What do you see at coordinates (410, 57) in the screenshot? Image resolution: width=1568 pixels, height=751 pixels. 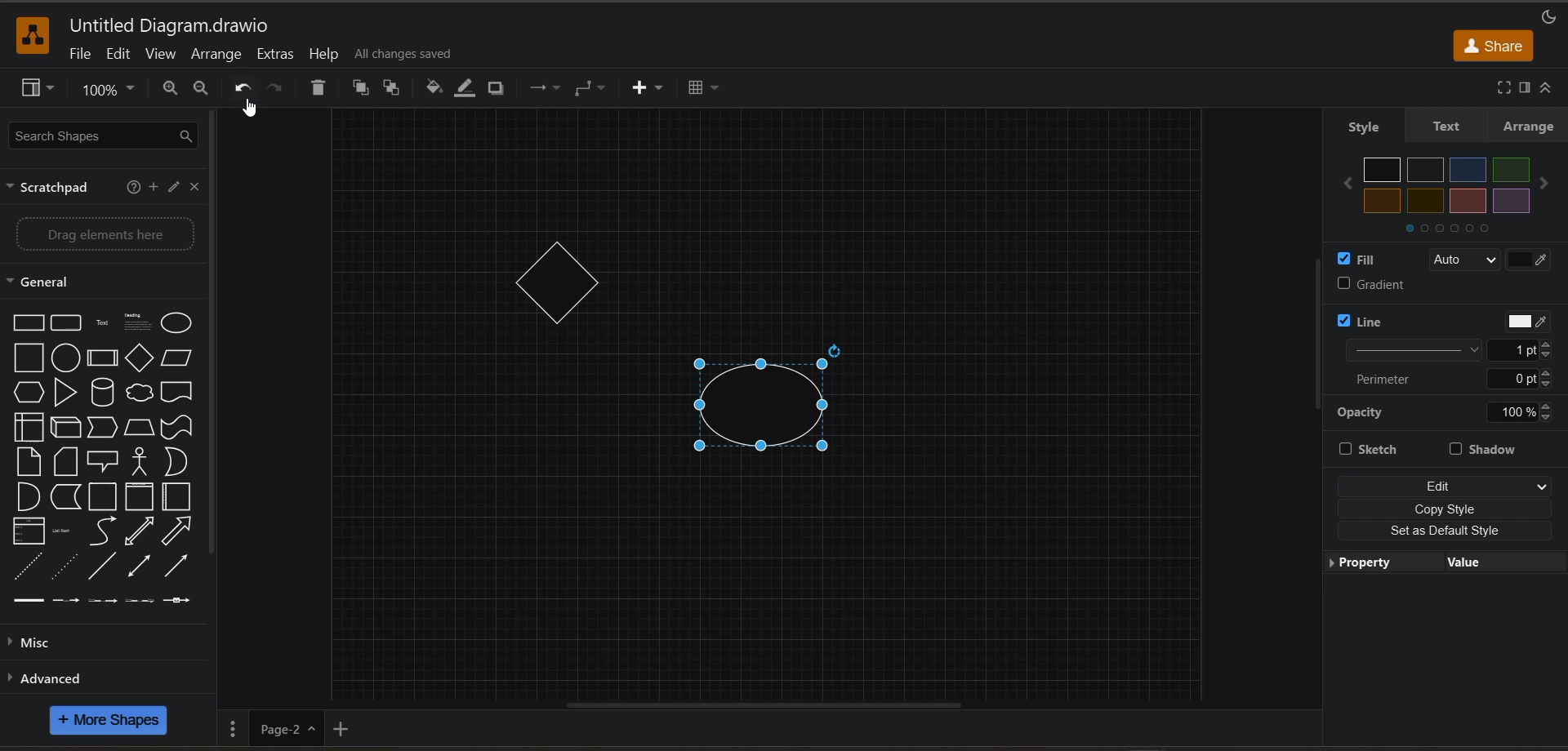 I see `all changes saved` at bounding box center [410, 57].